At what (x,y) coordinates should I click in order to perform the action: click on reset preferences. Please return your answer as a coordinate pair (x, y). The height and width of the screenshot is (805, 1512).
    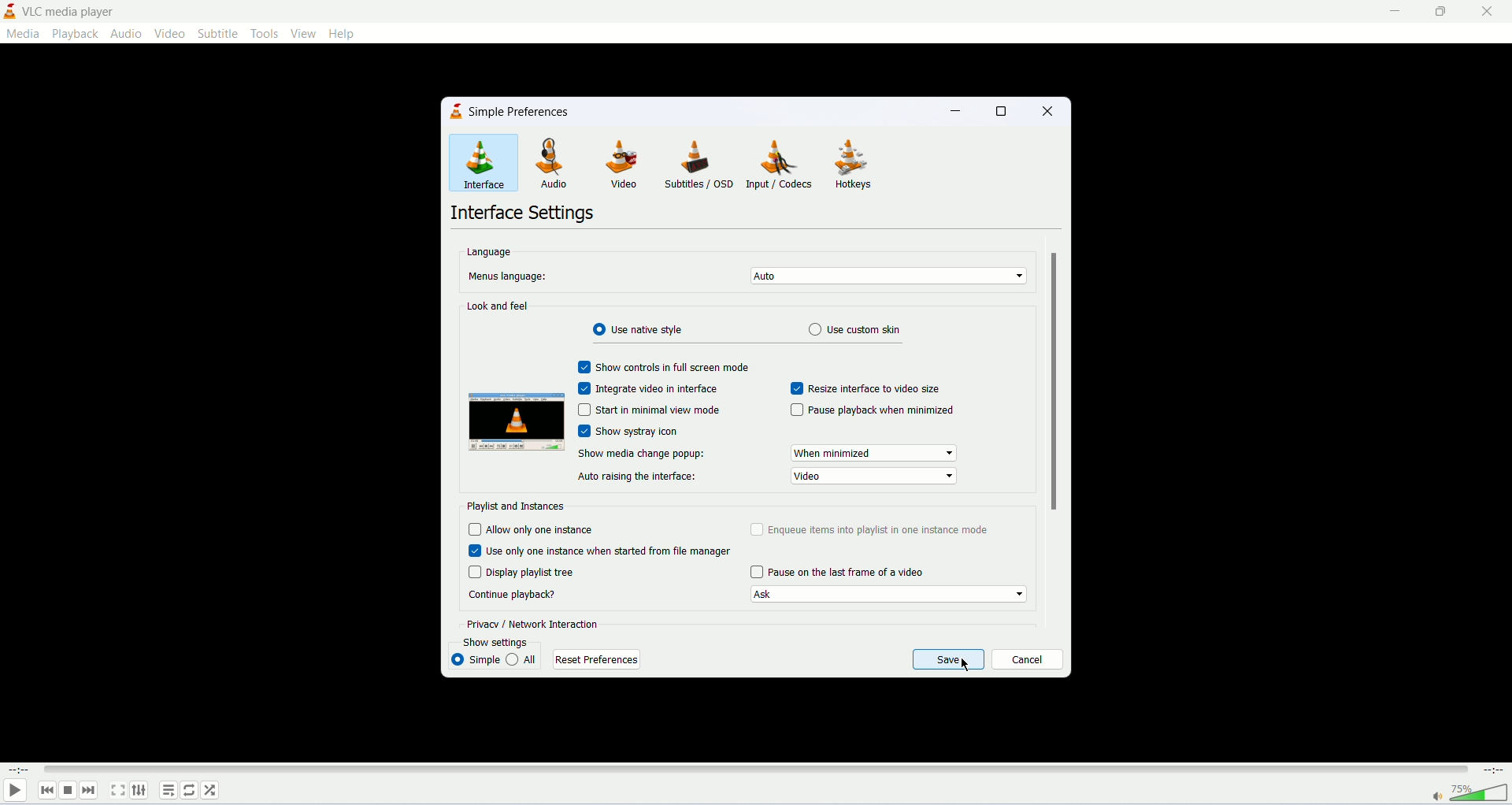
    Looking at the image, I should click on (595, 660).